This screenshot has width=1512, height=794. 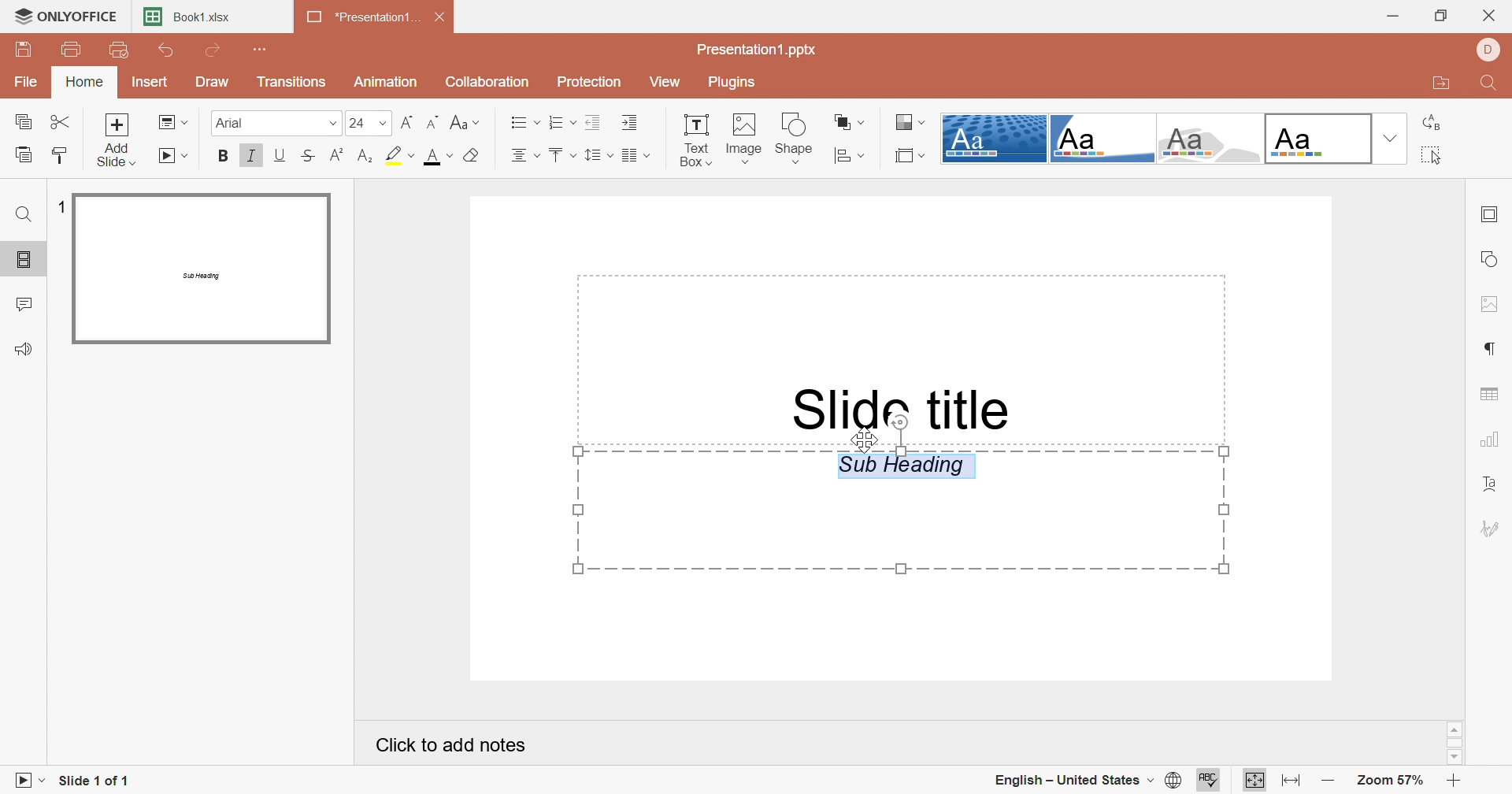 I want to click on Text Box, so click(x=694, y=138).